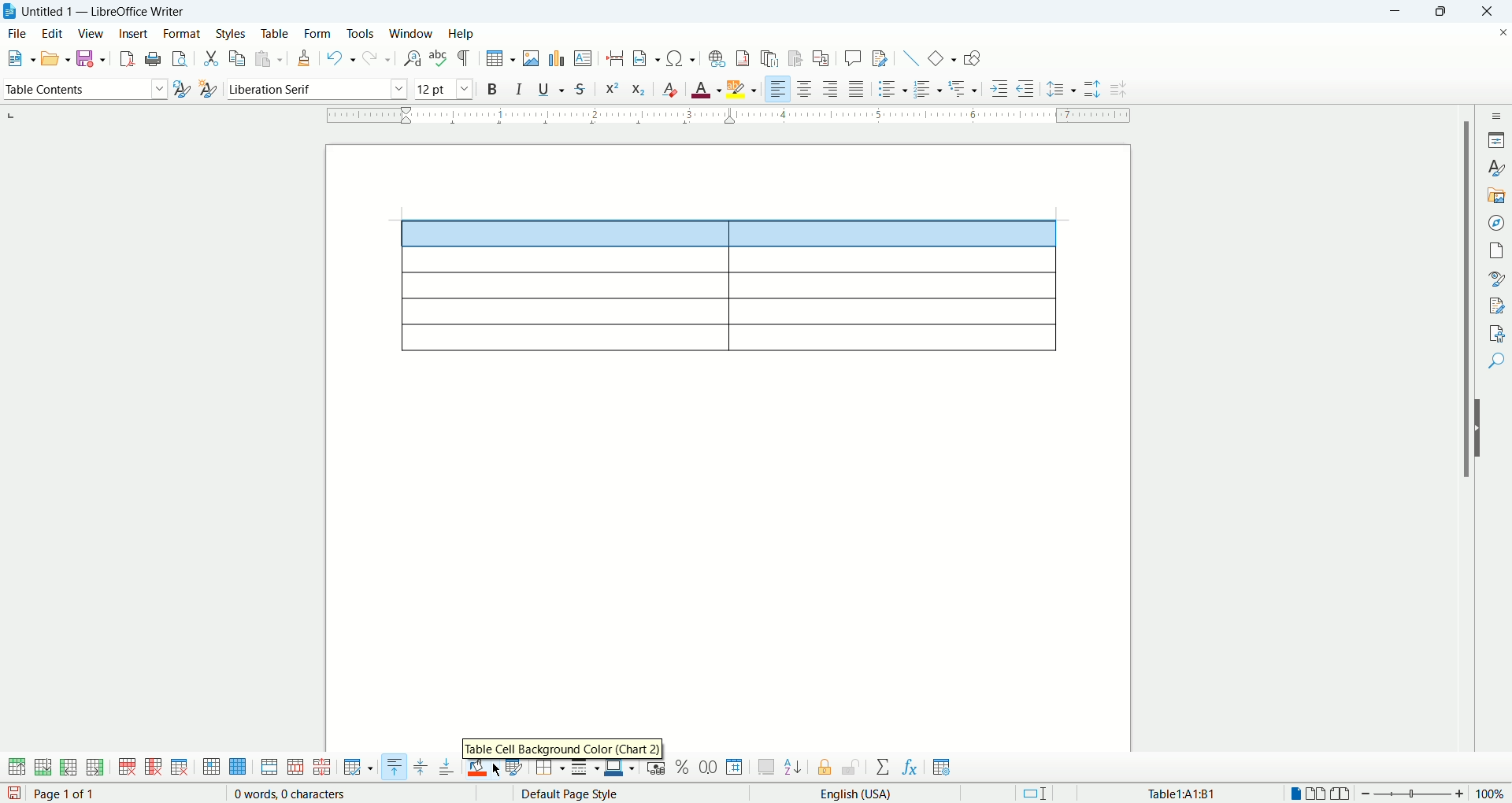 This screenshot has height=803, width=1512. What do you see at coordinates (448, 767) in the screenshot?
I see `align bottom` at bounding box center [448, 767].